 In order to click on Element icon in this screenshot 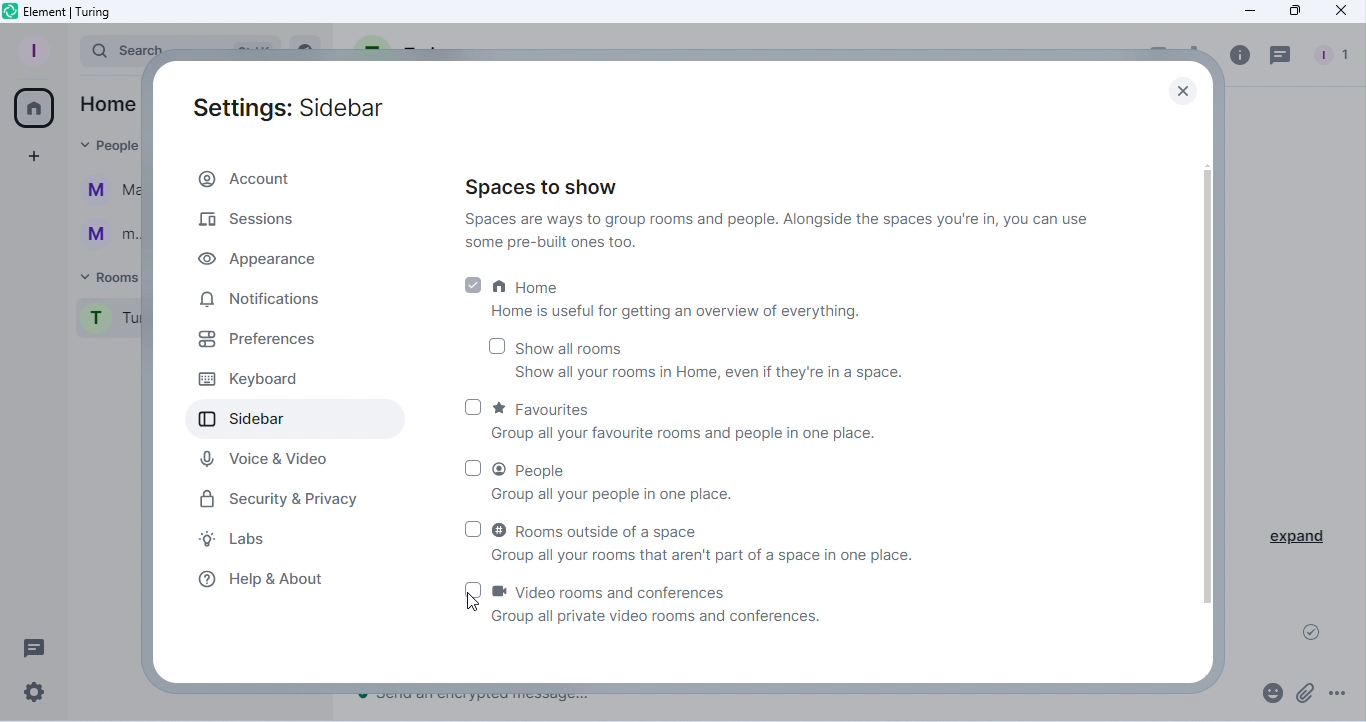, I will do `click(63, 12)`.